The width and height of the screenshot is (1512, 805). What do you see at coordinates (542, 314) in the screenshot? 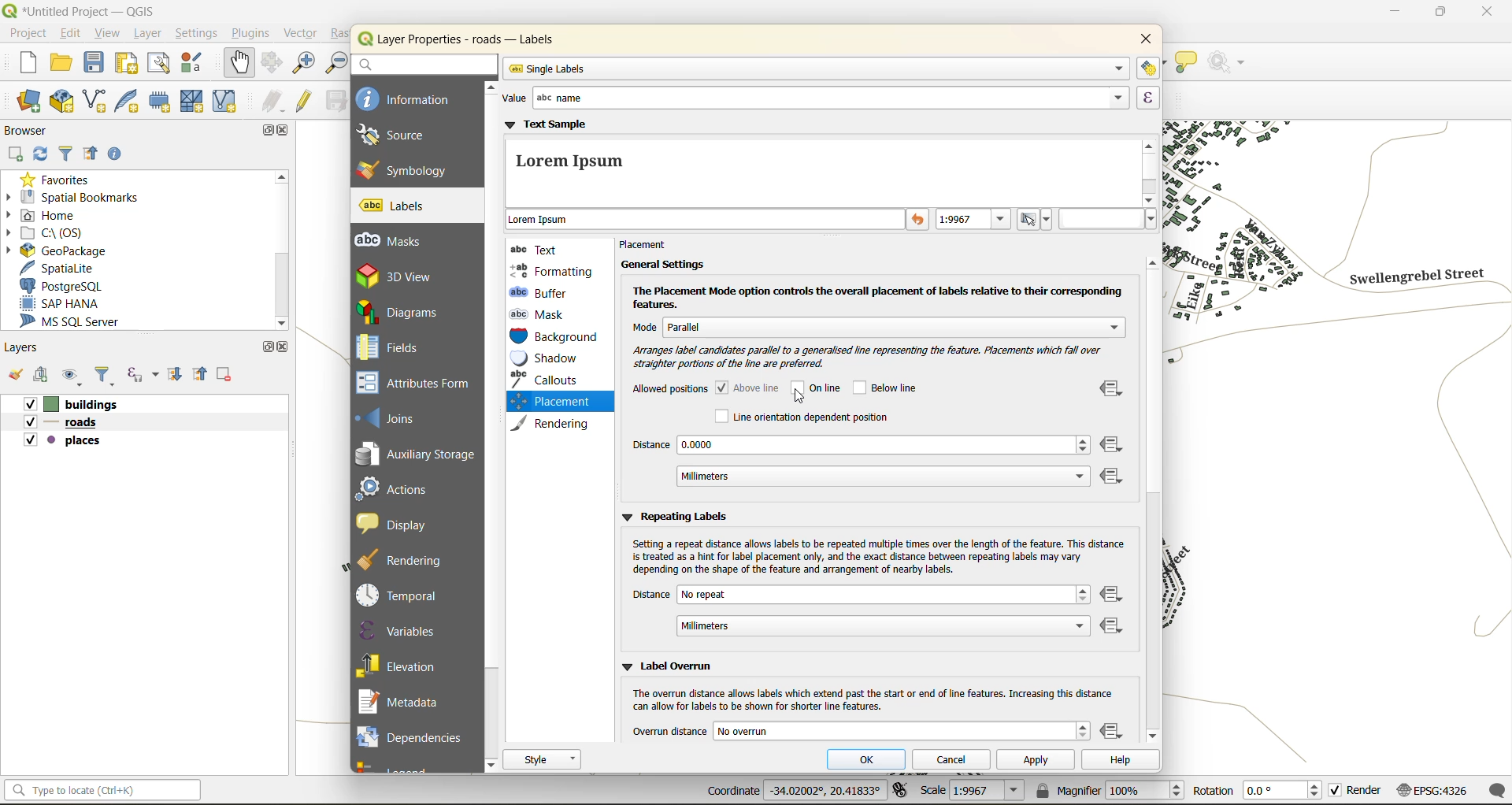
I see `mask` at bounding box center [542, 314].